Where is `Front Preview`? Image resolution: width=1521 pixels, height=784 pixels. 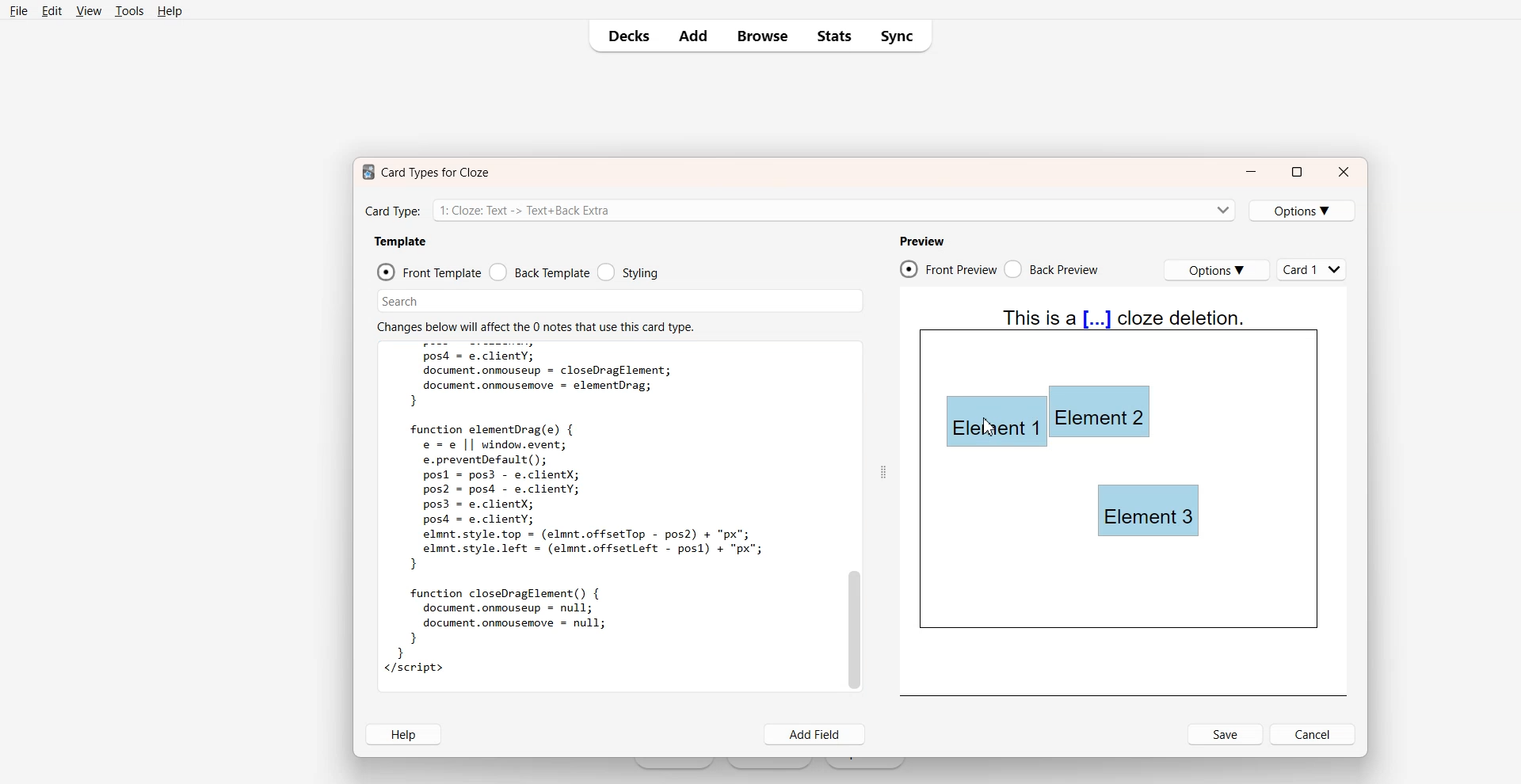 Front Preview is located at coordinates (948, 268).